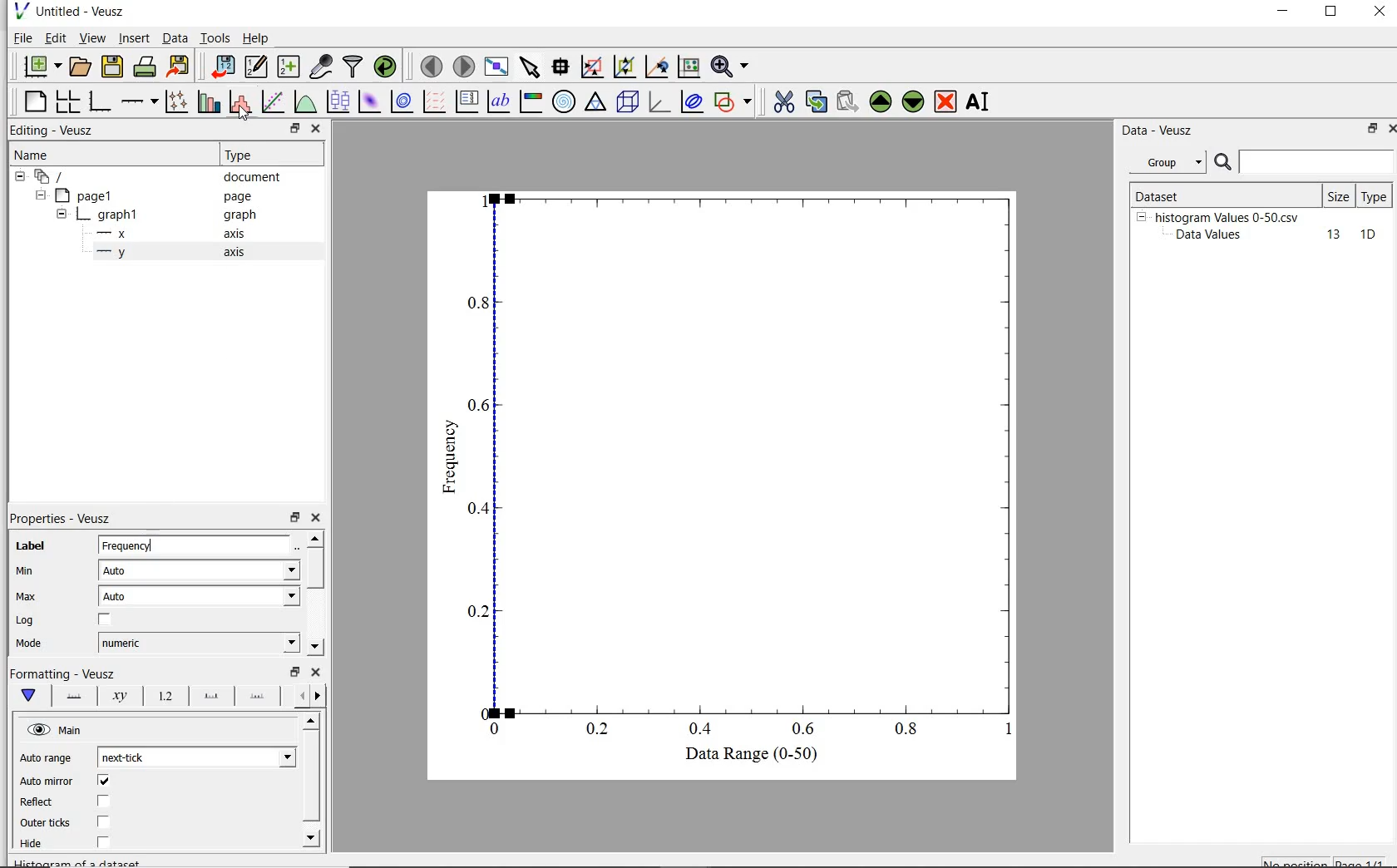  Describe the element at coordinates (39, 802) in the screenshot. I see ` Reflect` at that location.